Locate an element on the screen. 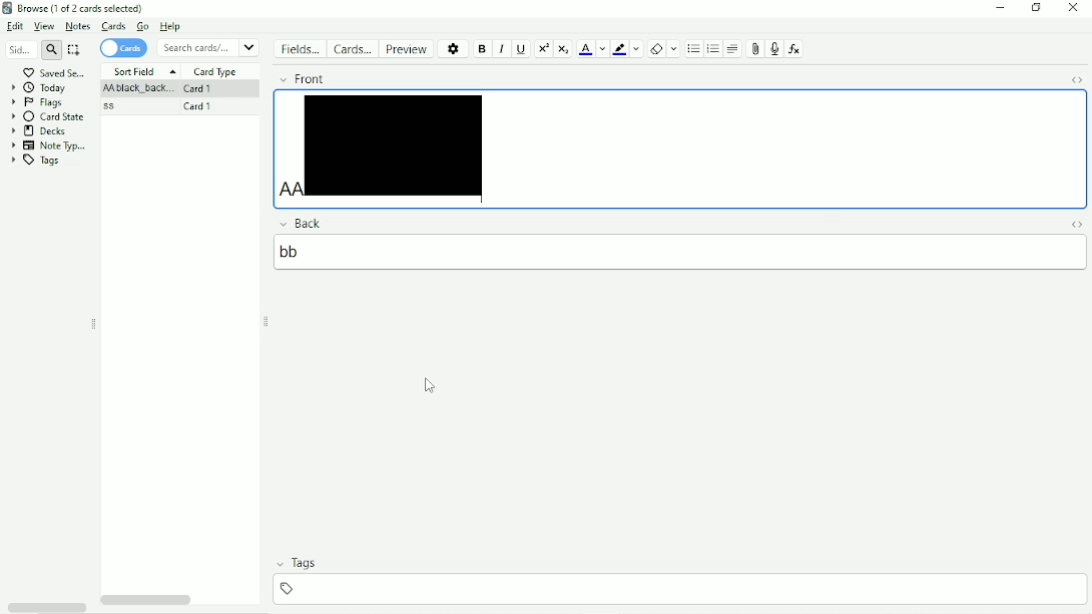 The width and height of the screenshot is (1092, 614). Minimize is located at coordinates (1001, 8).